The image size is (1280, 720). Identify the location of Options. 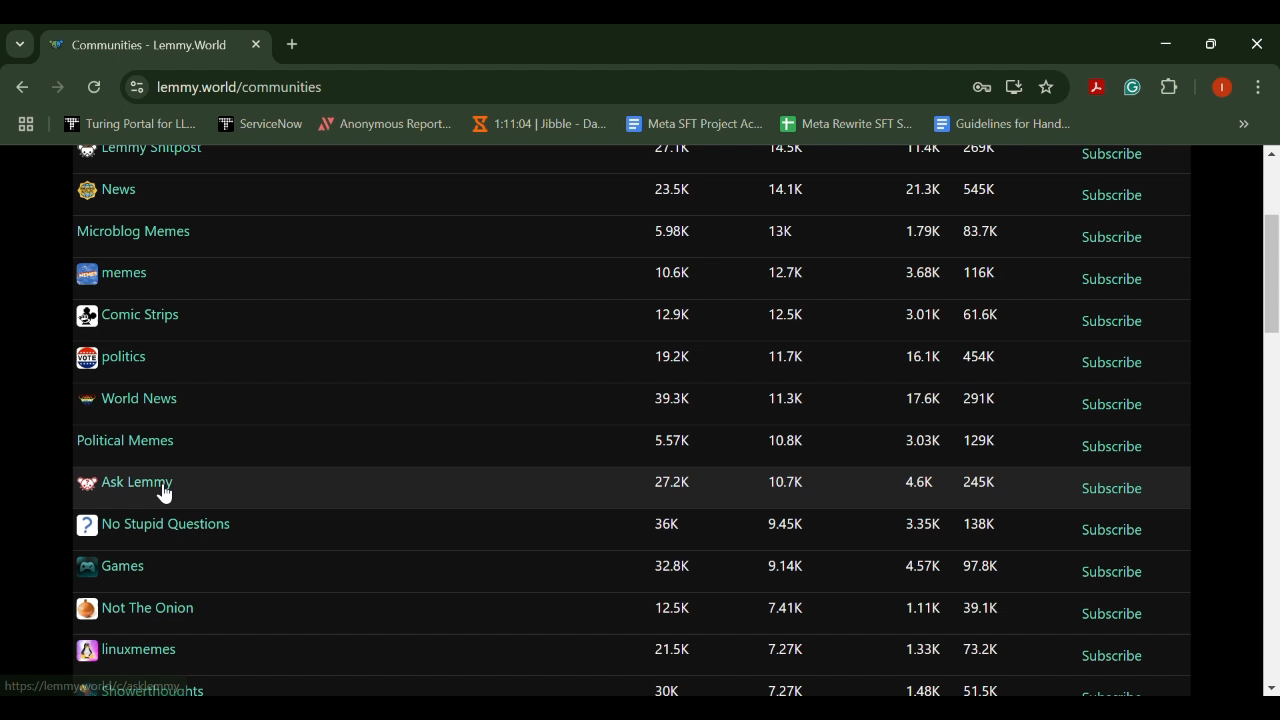
(1258, 89).